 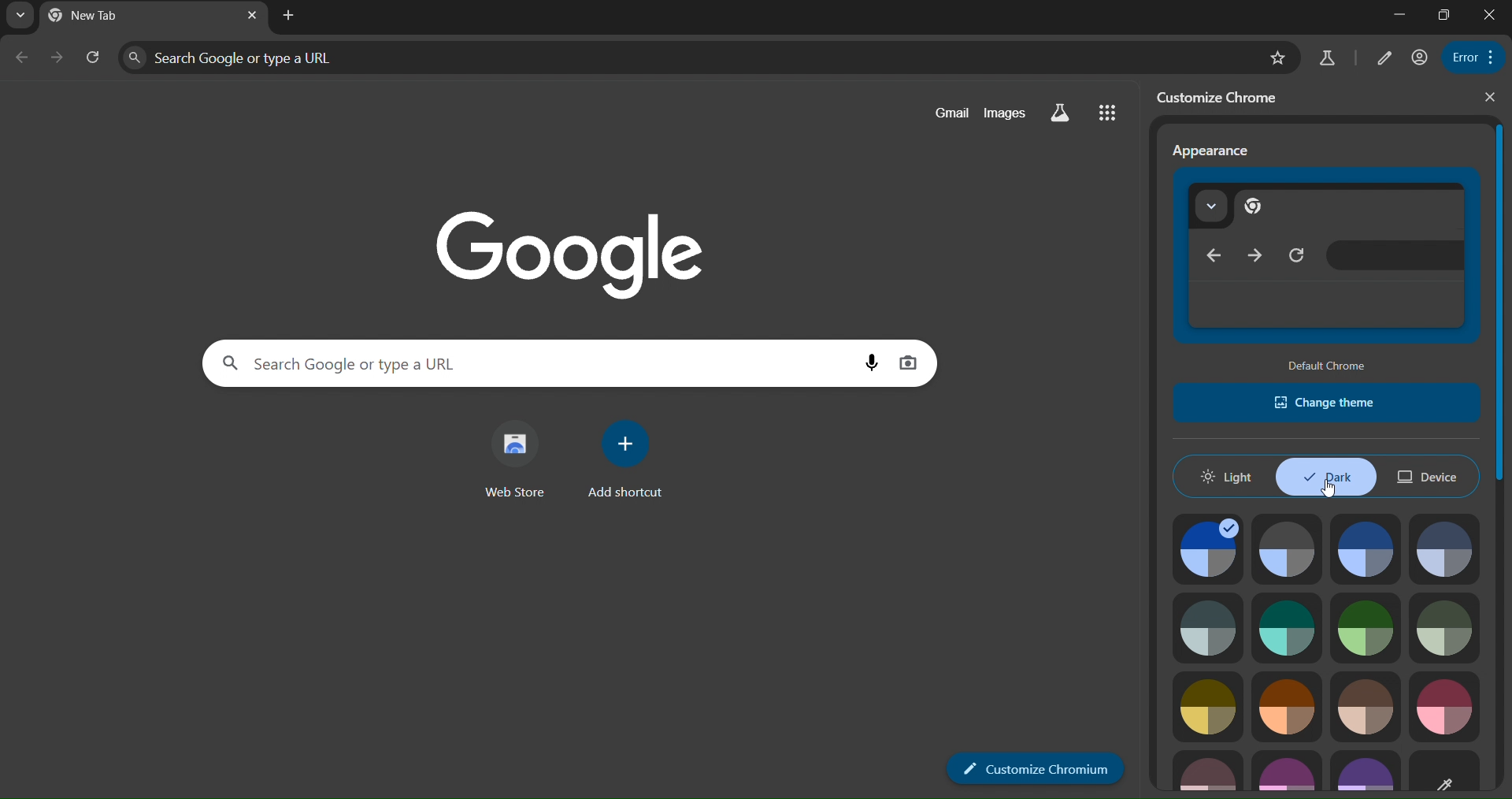 I want to click on search labs, so click(x=1060, y=110).